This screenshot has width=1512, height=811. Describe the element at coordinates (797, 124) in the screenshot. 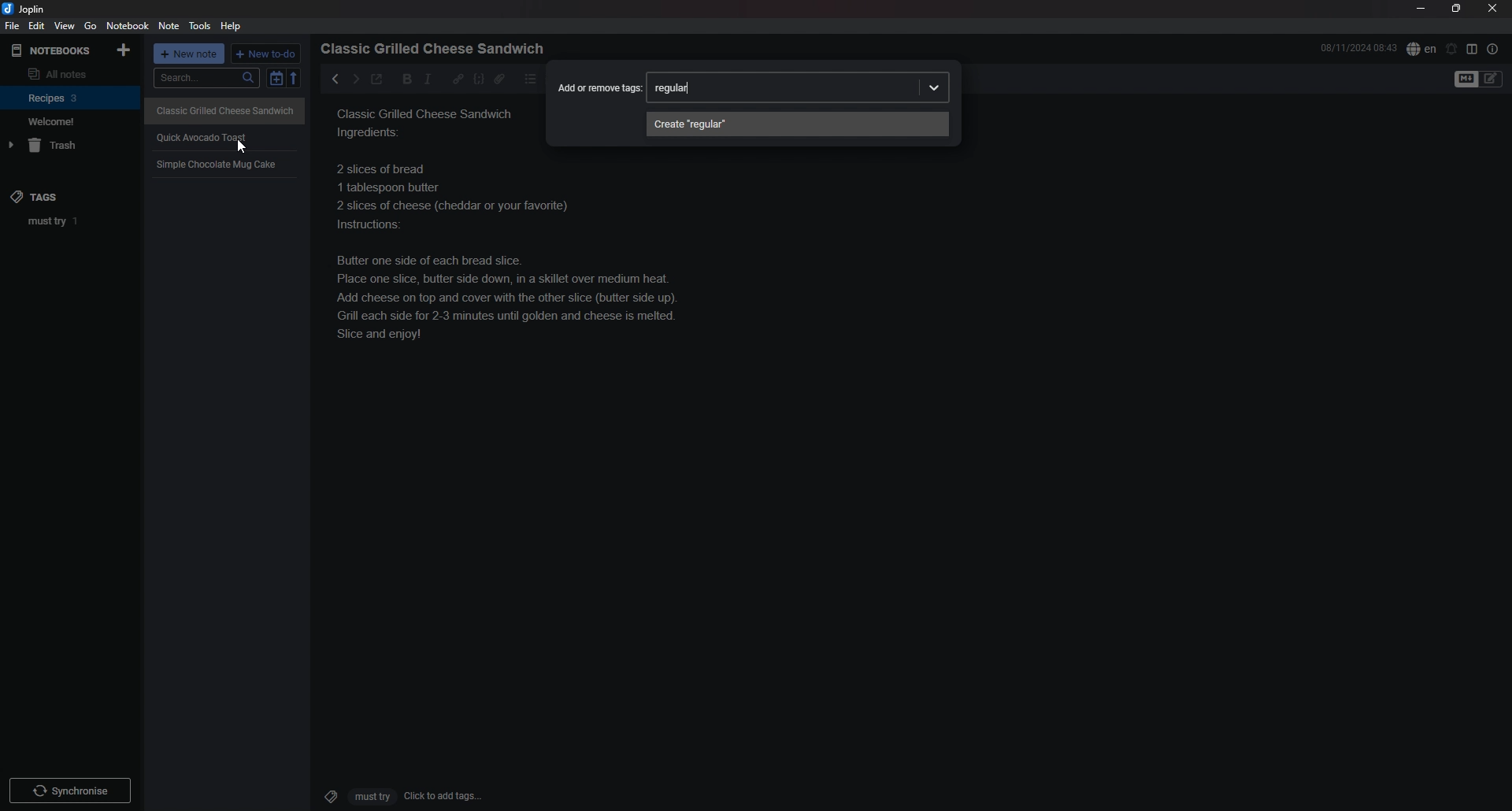

I see `create tag` at that location.